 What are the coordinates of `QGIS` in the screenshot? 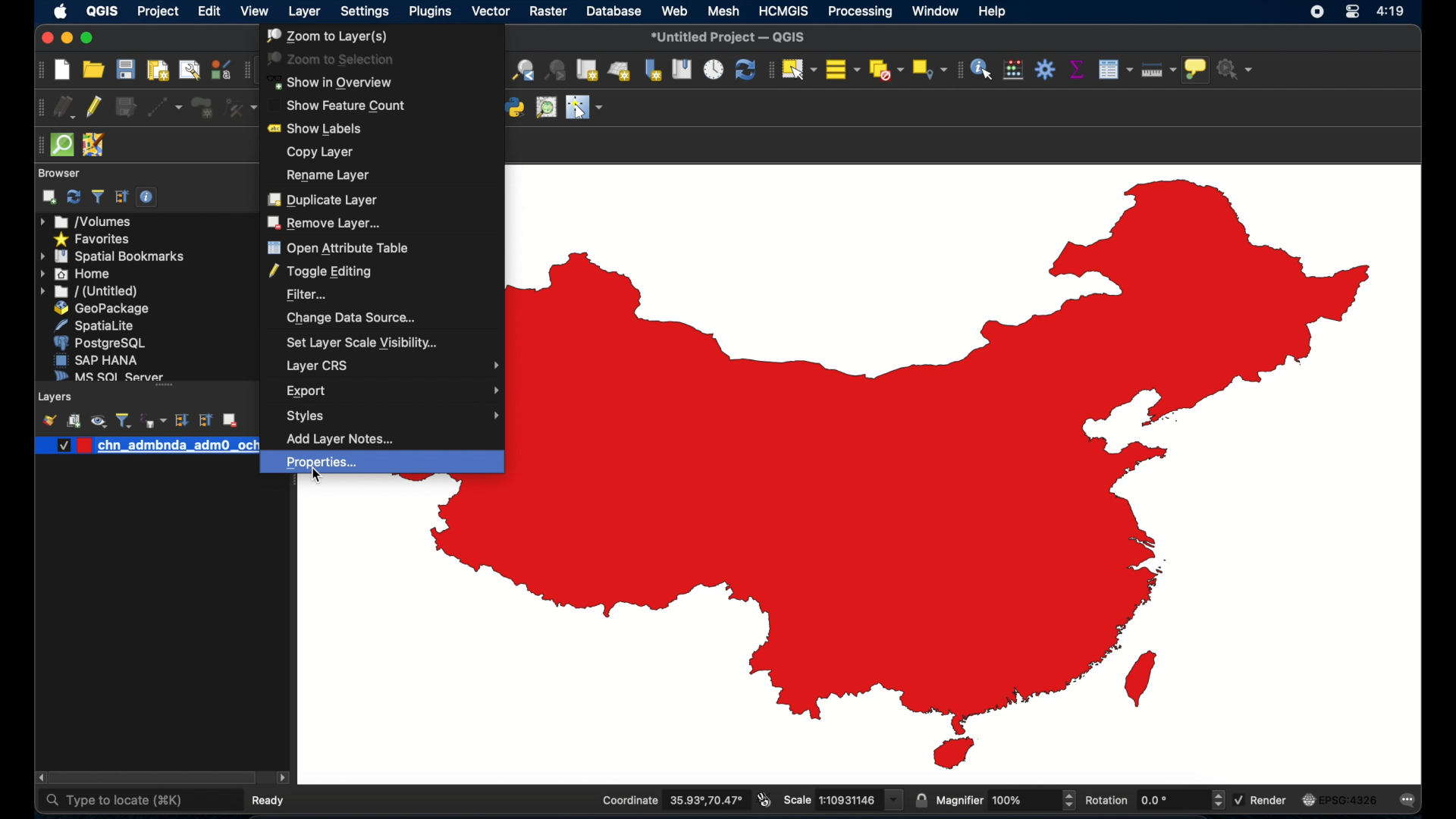 It's located at (102, 13).